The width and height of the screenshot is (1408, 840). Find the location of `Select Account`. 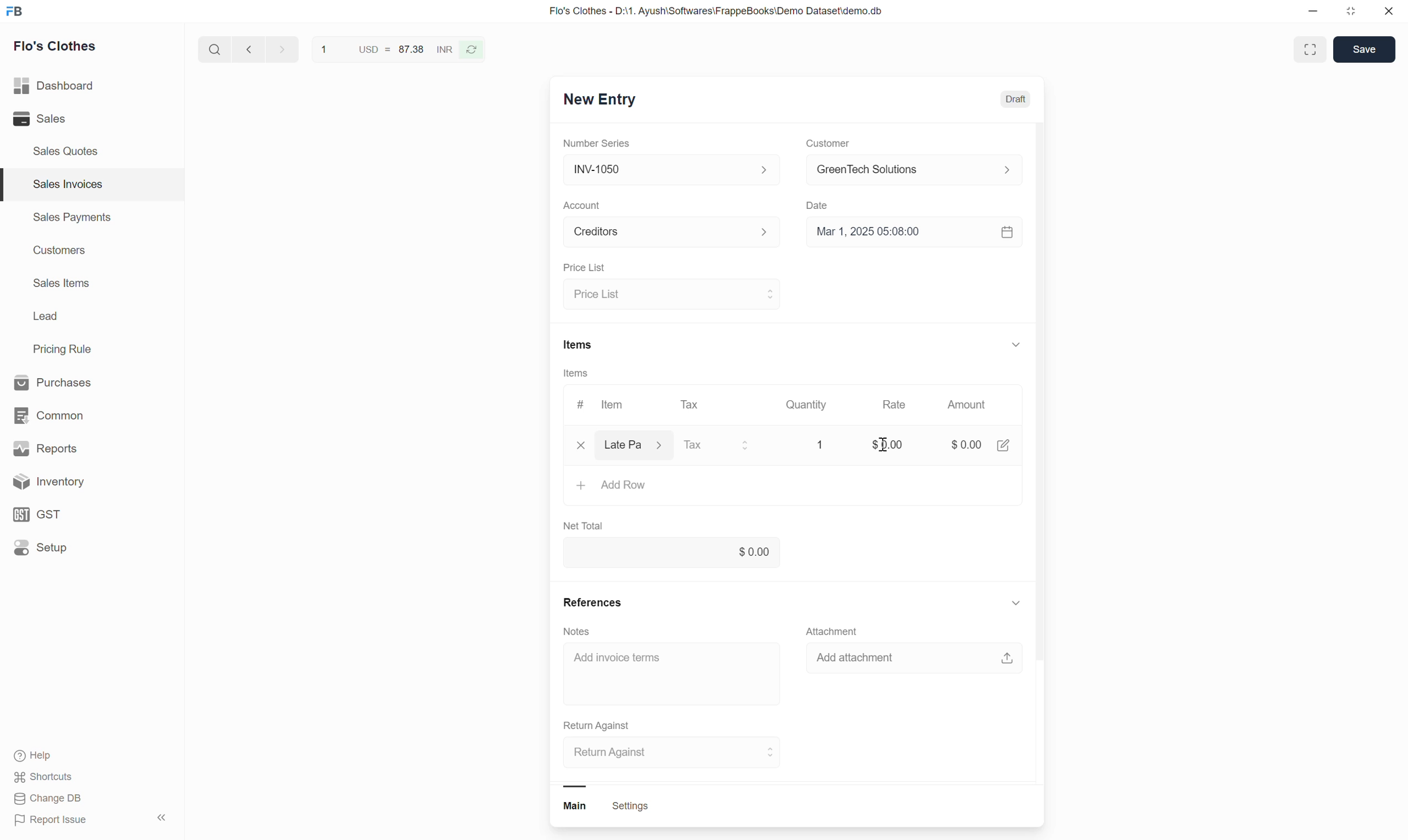

Select Account is located at coordinates (666, 235).